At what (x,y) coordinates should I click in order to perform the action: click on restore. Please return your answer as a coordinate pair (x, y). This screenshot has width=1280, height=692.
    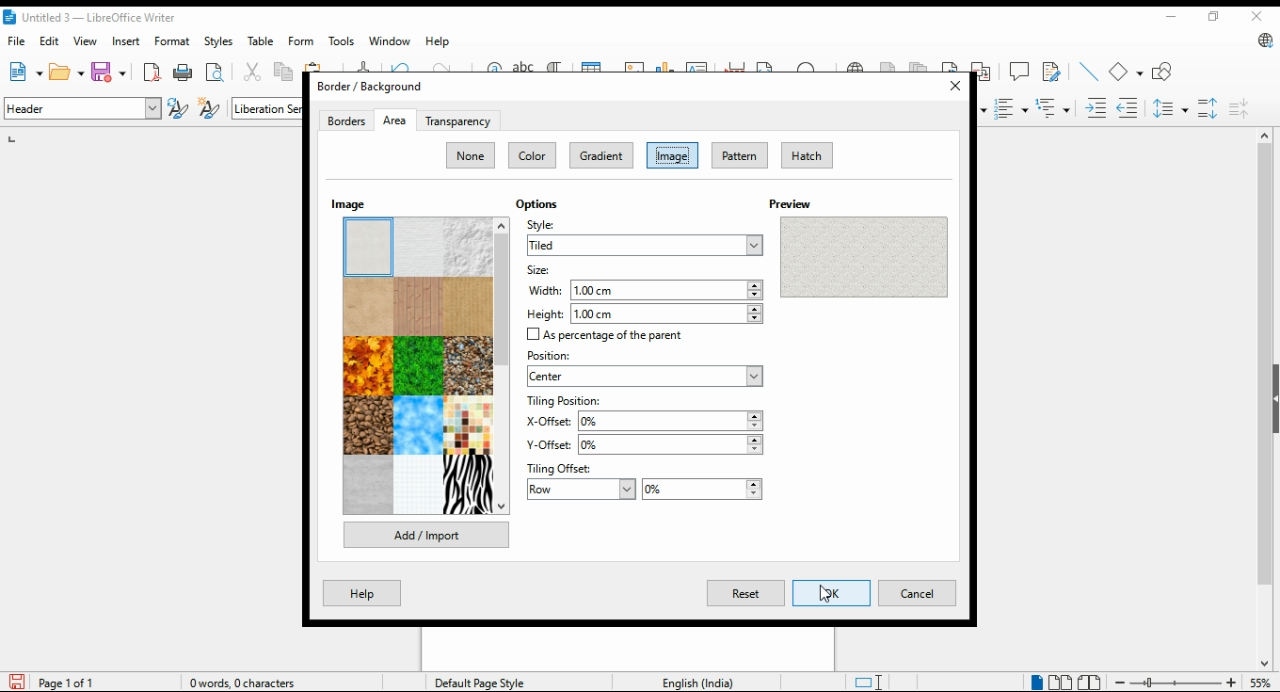
    Looking at the image, I should click on (1212, 16).